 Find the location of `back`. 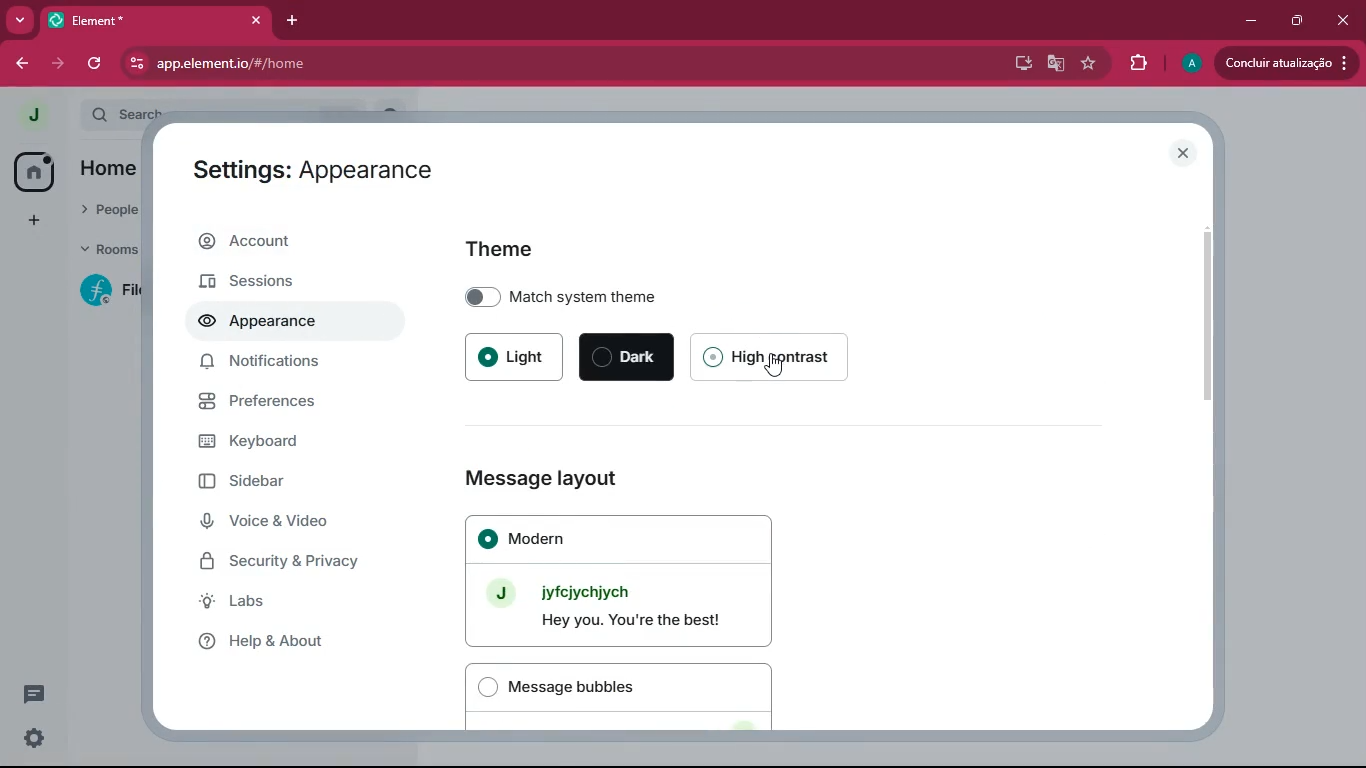

back is located at coordinates (15, 64).